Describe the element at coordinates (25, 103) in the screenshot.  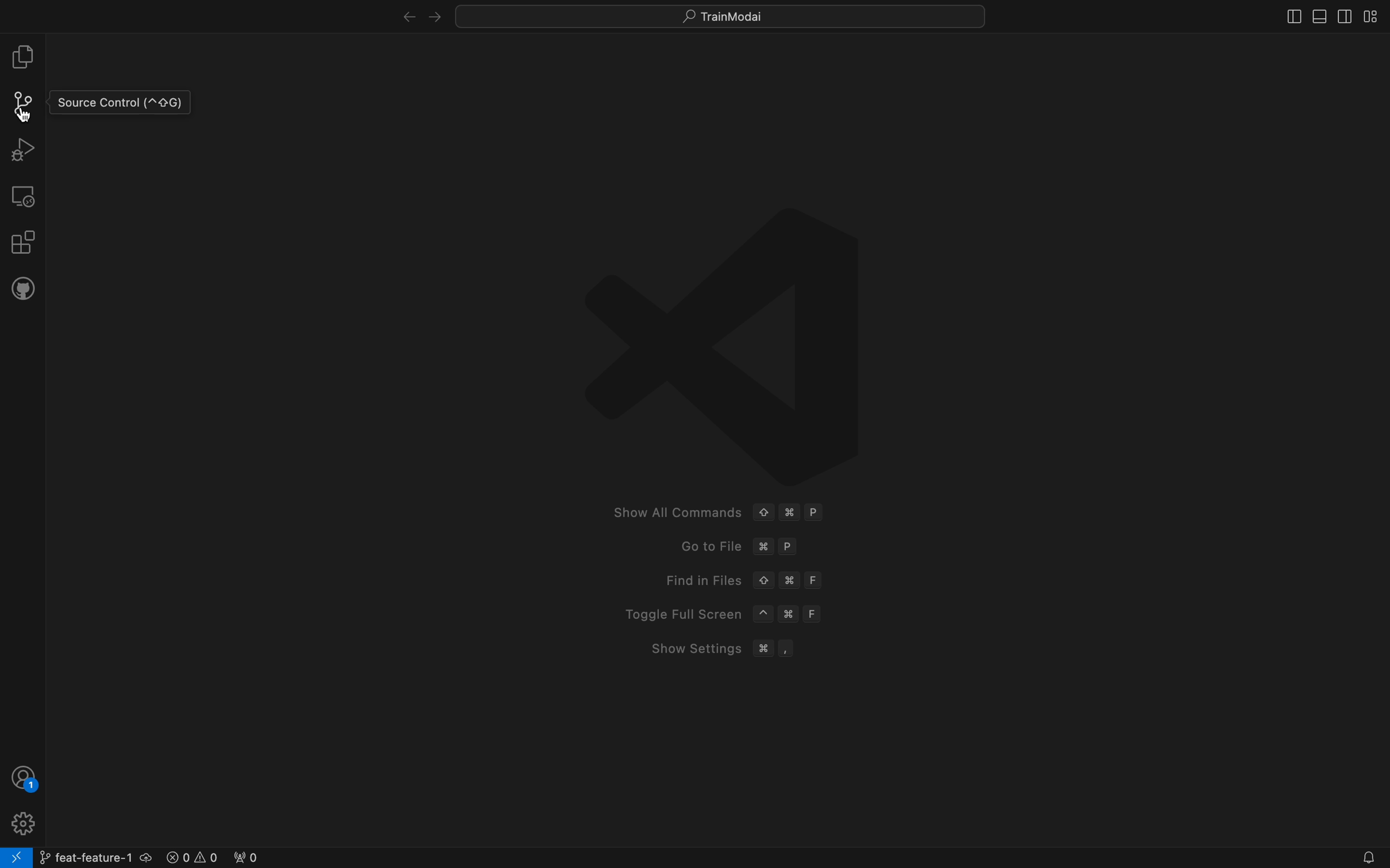
I see `git` at that location.